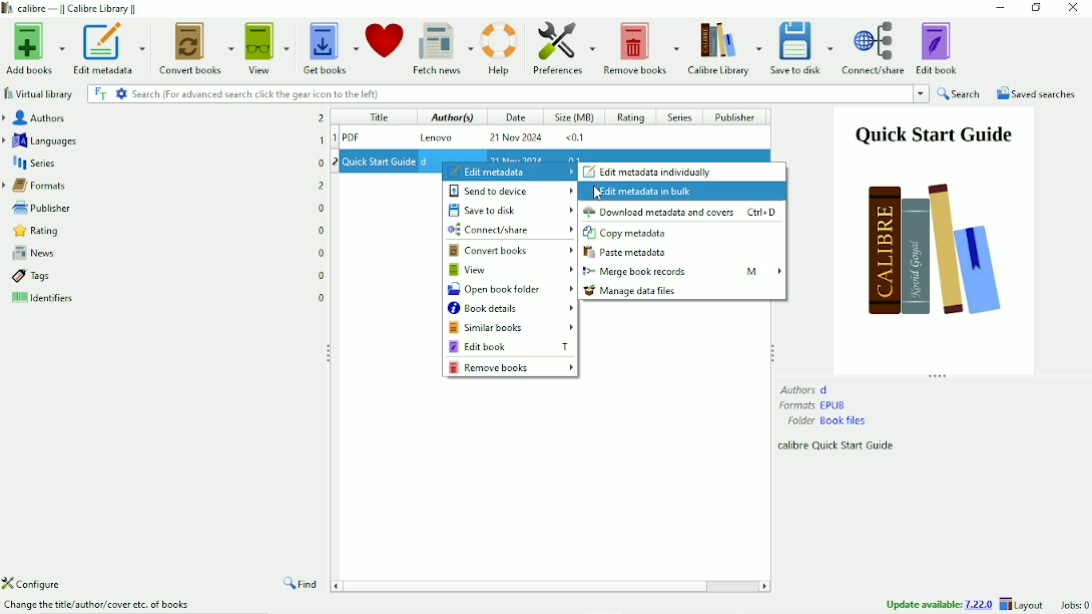 The height and width of the screenshot is (614, 1092). What do you see at coordinates (1035, 9) in the screenshot?
I see `Restore down` at bounding box center [1035, 9].